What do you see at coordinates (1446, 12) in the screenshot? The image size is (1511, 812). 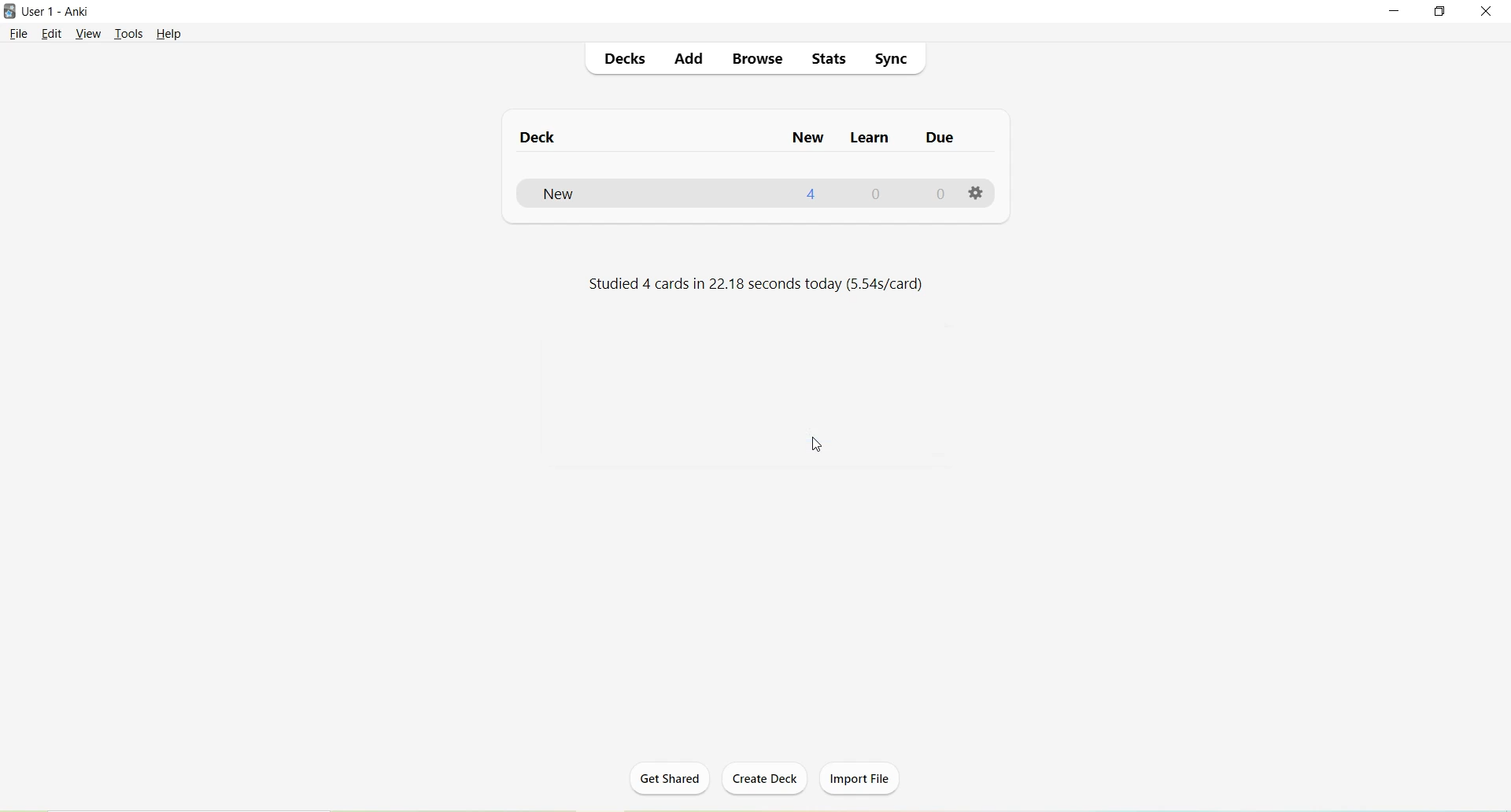 I see `Maximize` at bounding box center [1446, 12].